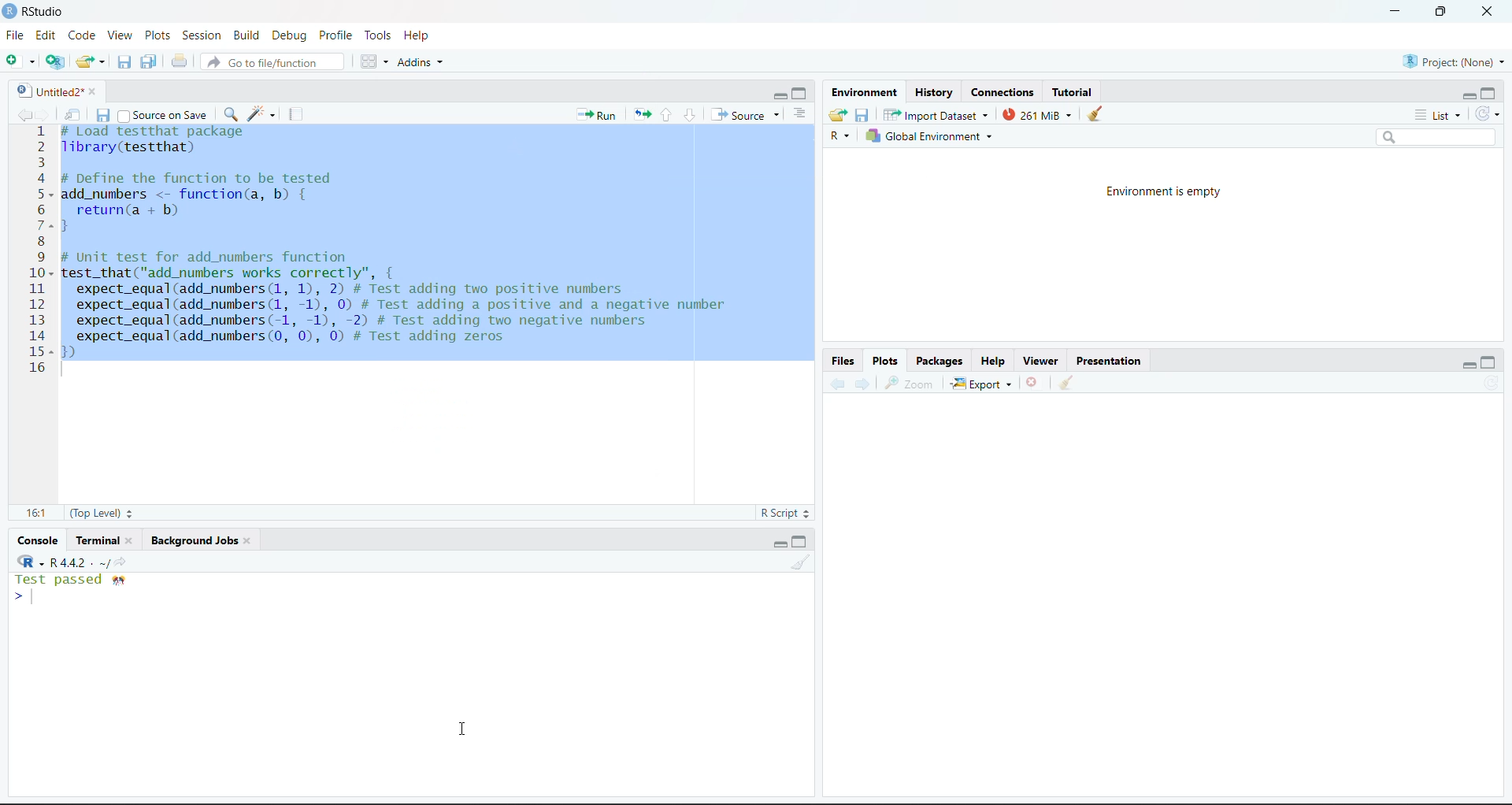 This screenshot has width=1512, height=805. I want to click on R, so click(837, 135).